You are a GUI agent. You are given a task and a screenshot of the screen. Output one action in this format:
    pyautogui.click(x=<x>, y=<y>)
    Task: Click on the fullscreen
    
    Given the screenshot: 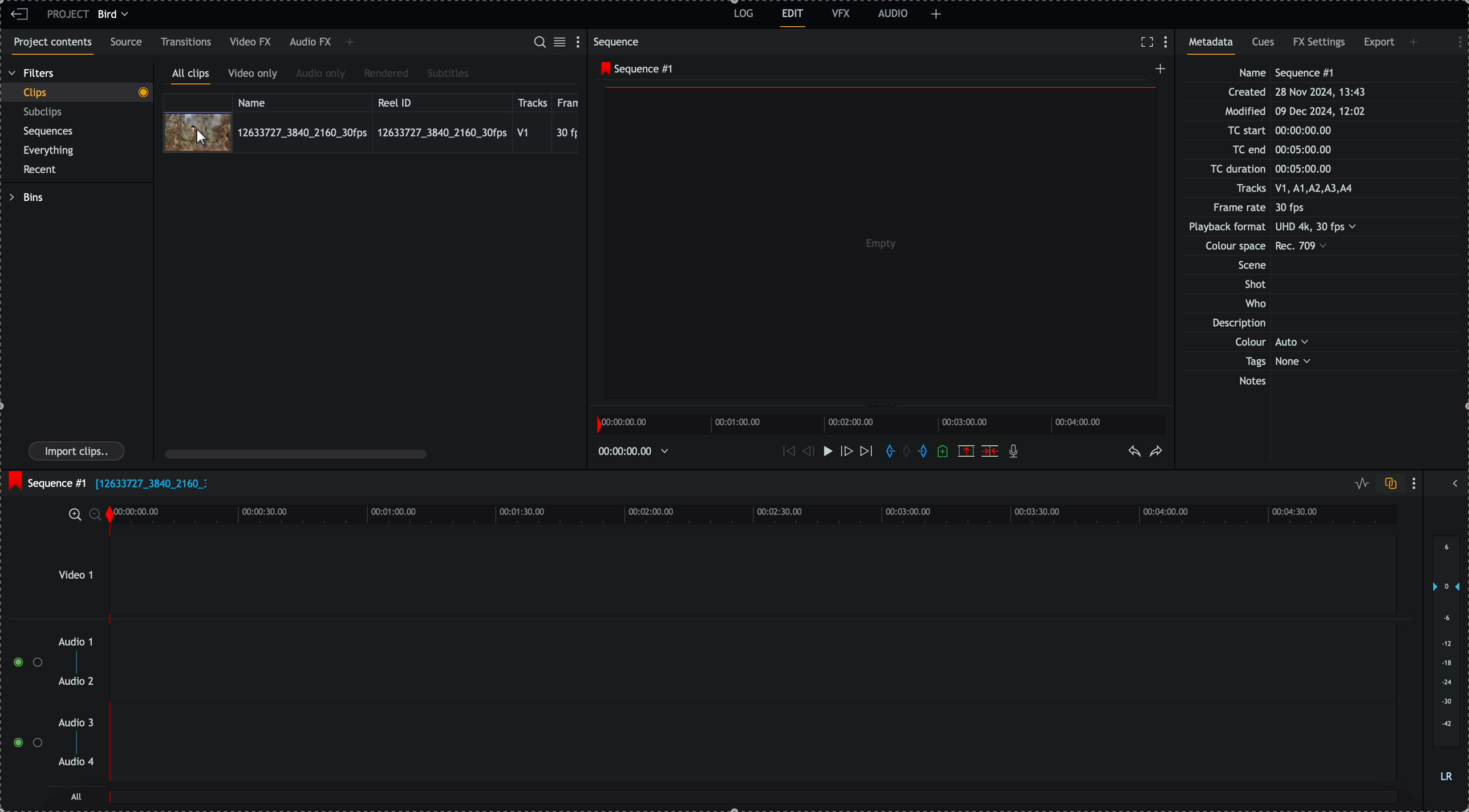 What is the action you would take?
    pyautogui.click(x=1147, y=42)
    